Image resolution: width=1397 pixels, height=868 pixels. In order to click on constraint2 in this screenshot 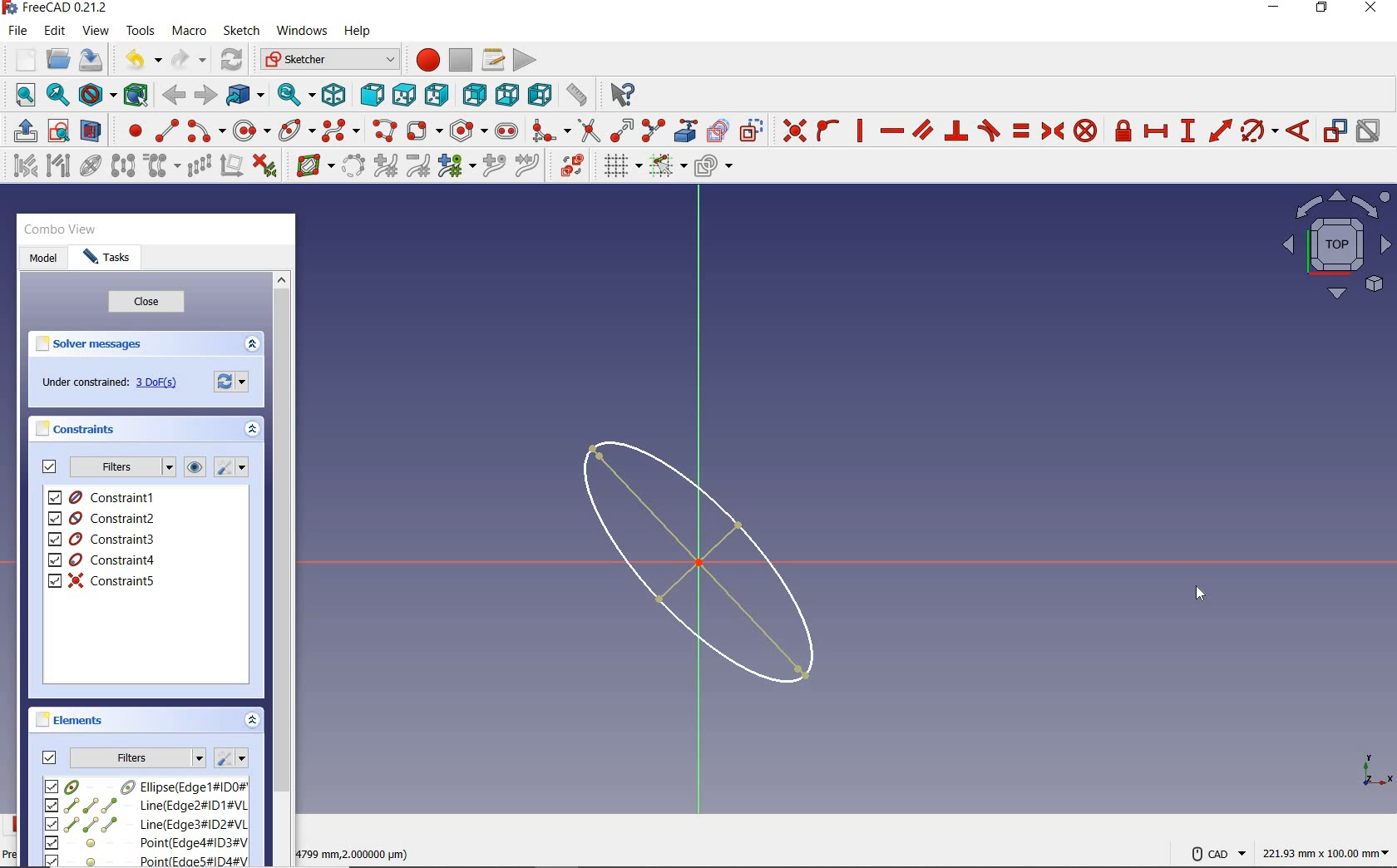, I will do `click(103, 518)`.